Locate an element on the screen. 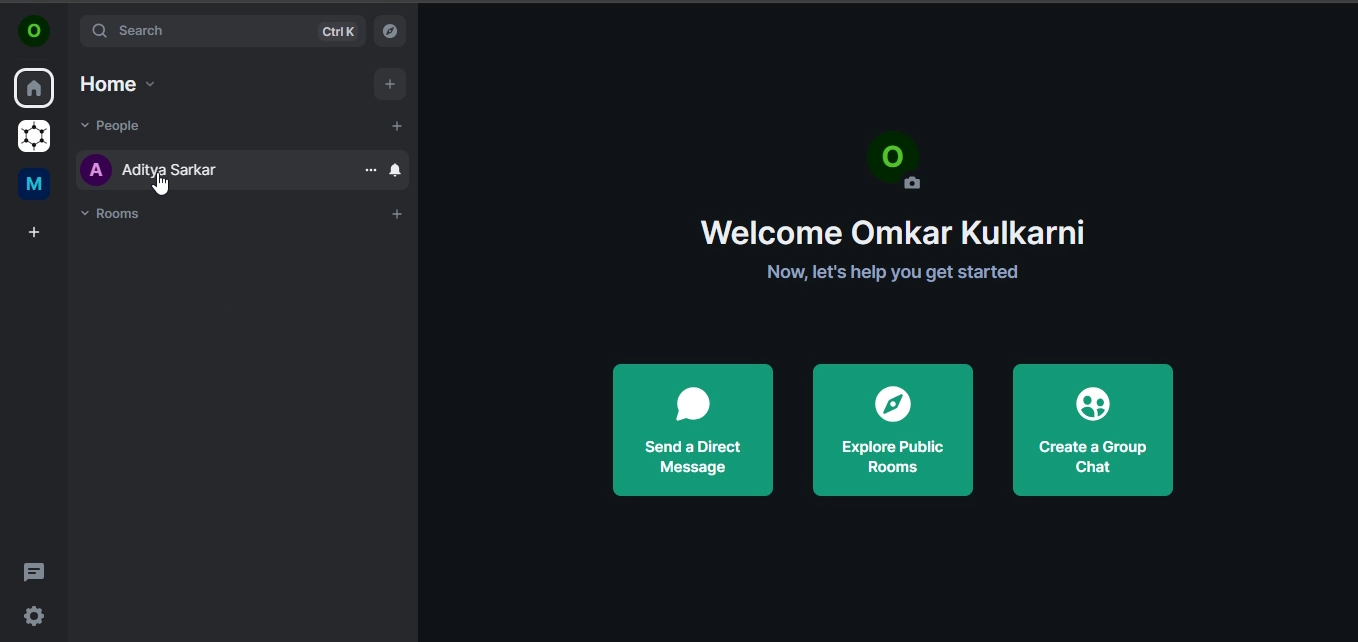 Image resolution: width=1358 pixels, height=642 pixels. quicker settings is located at coordinates (35, 613).